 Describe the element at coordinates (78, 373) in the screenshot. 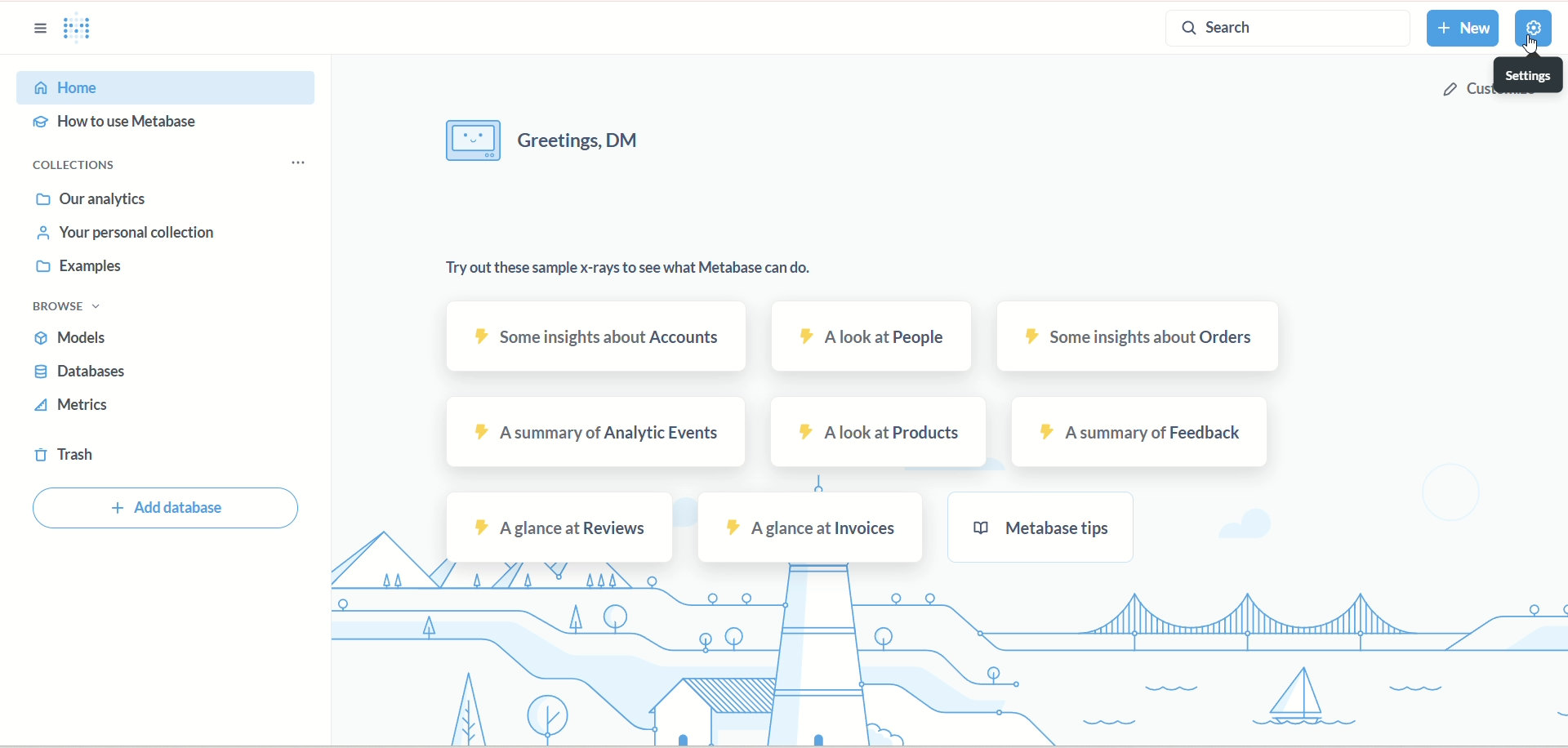

I see `databases` at that location.